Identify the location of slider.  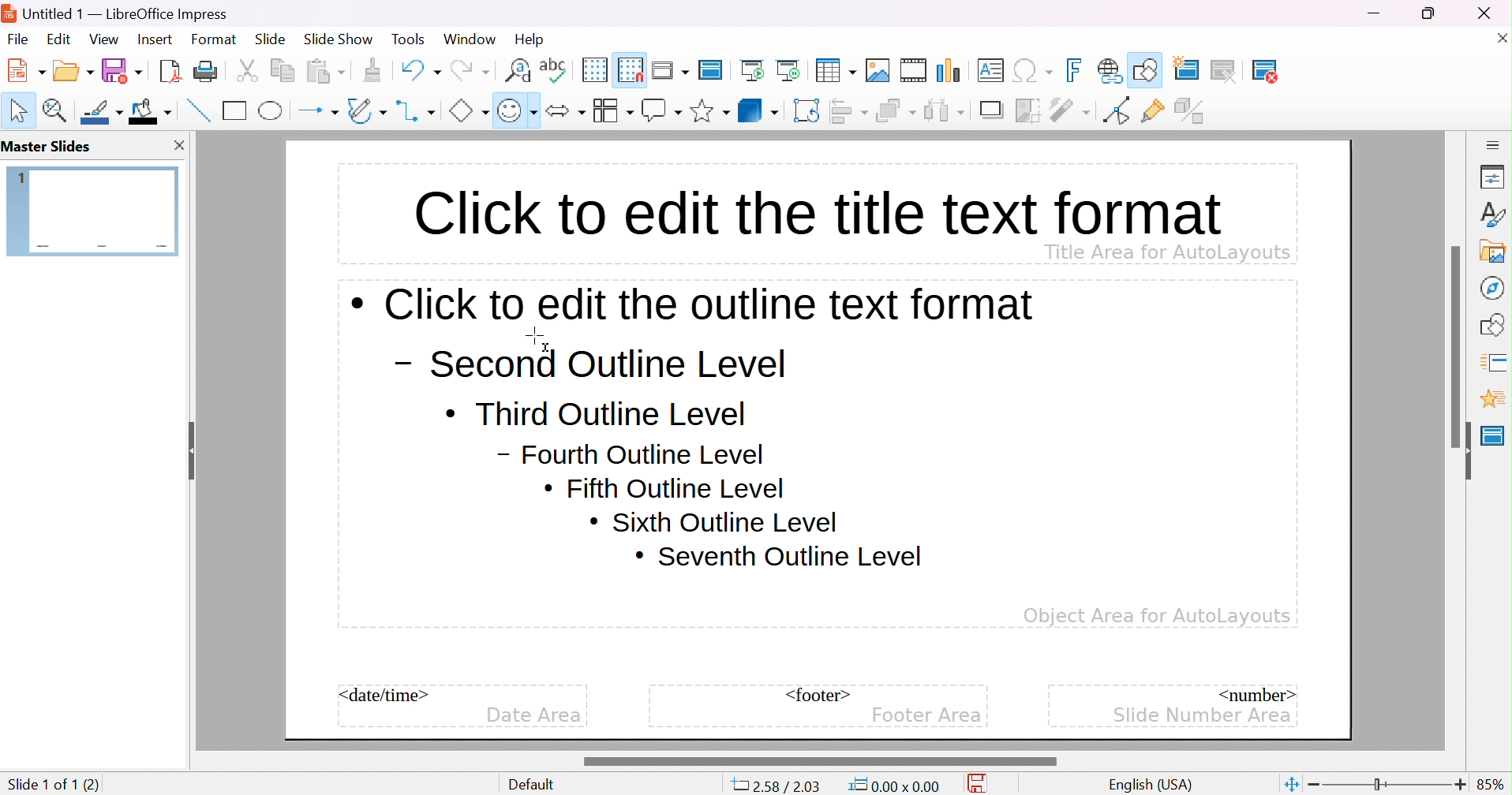
(1458, 345).